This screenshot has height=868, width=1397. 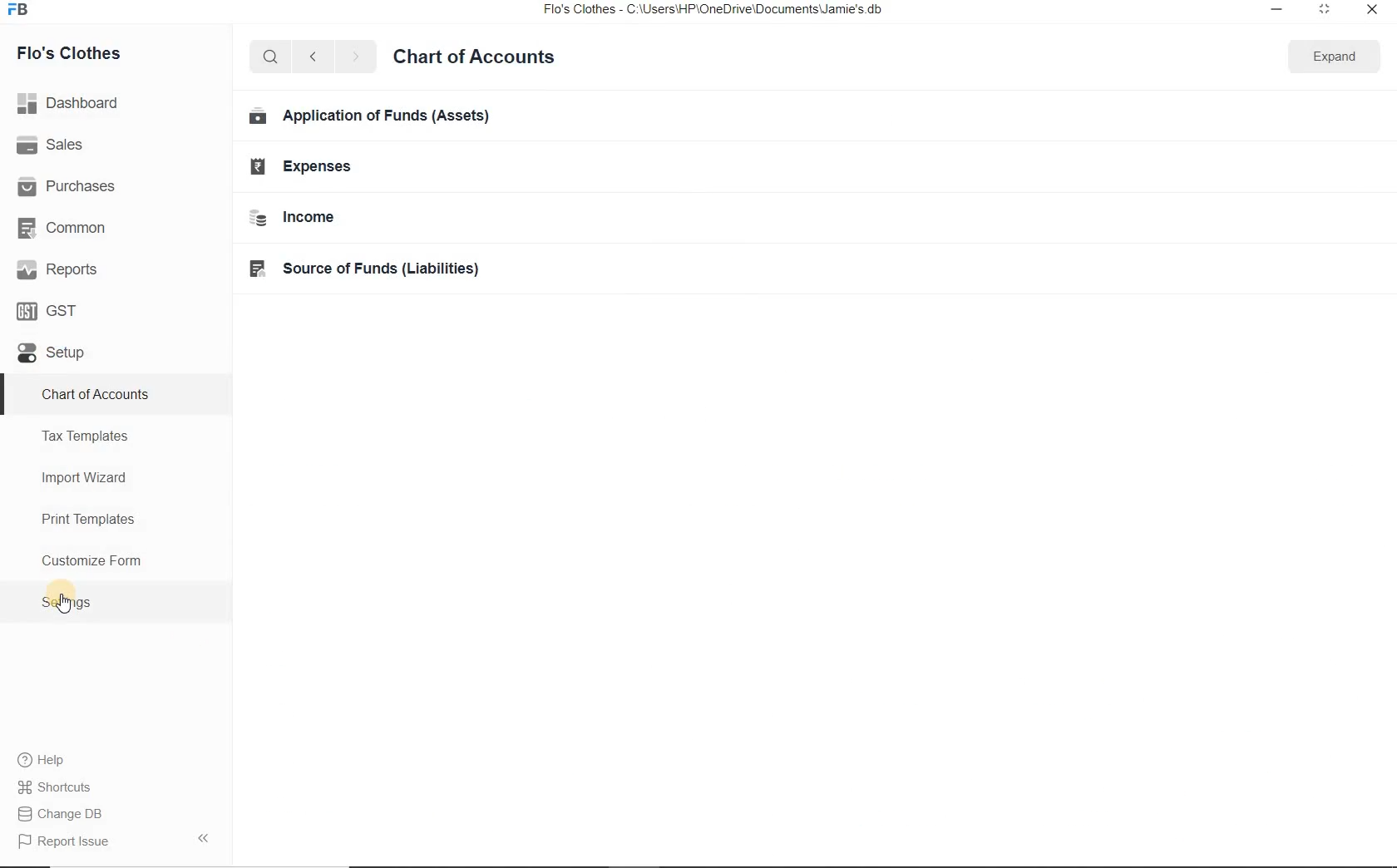 I want to click on GST, so click(x=46, y=312).